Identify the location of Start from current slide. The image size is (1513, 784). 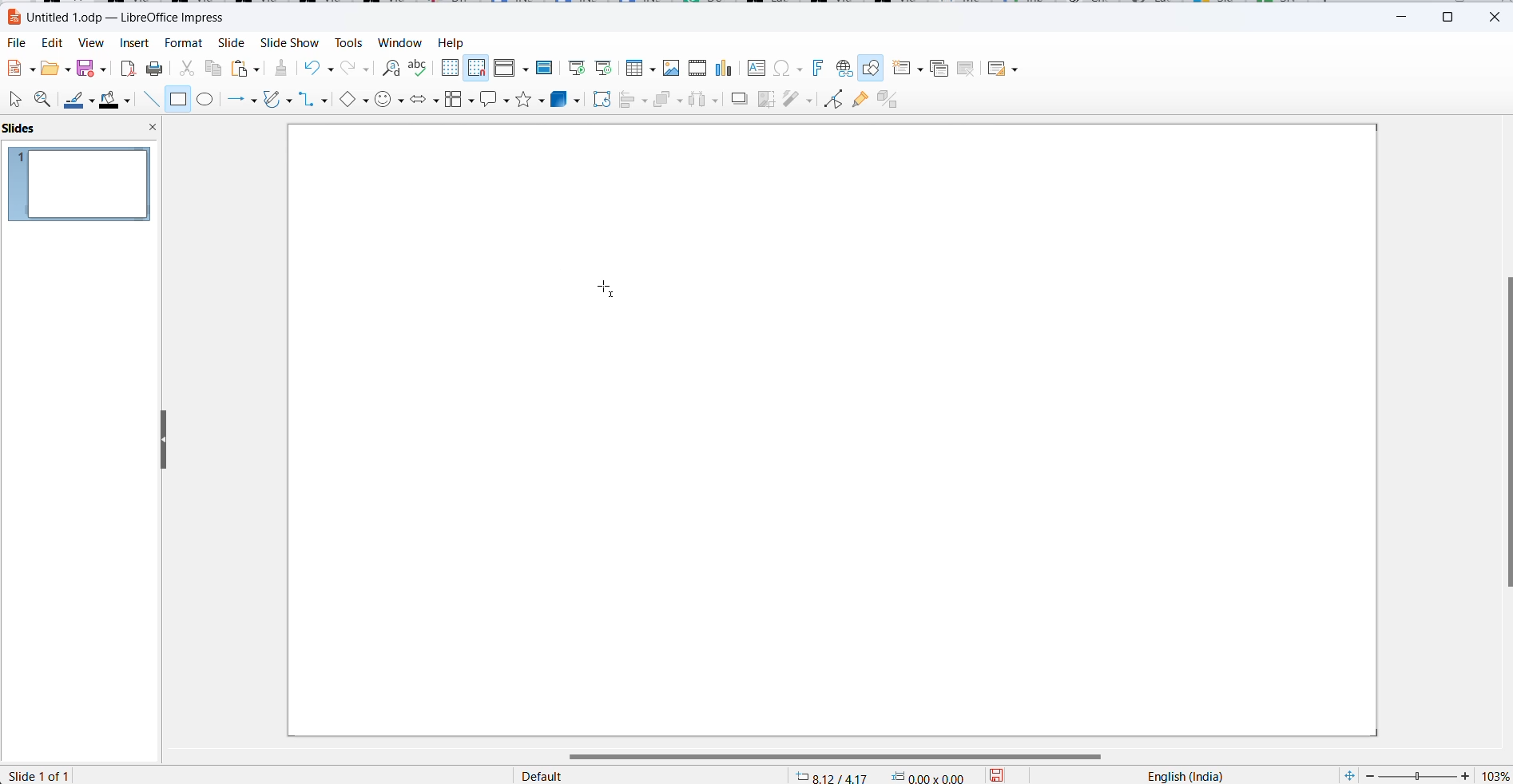
(604, 68).